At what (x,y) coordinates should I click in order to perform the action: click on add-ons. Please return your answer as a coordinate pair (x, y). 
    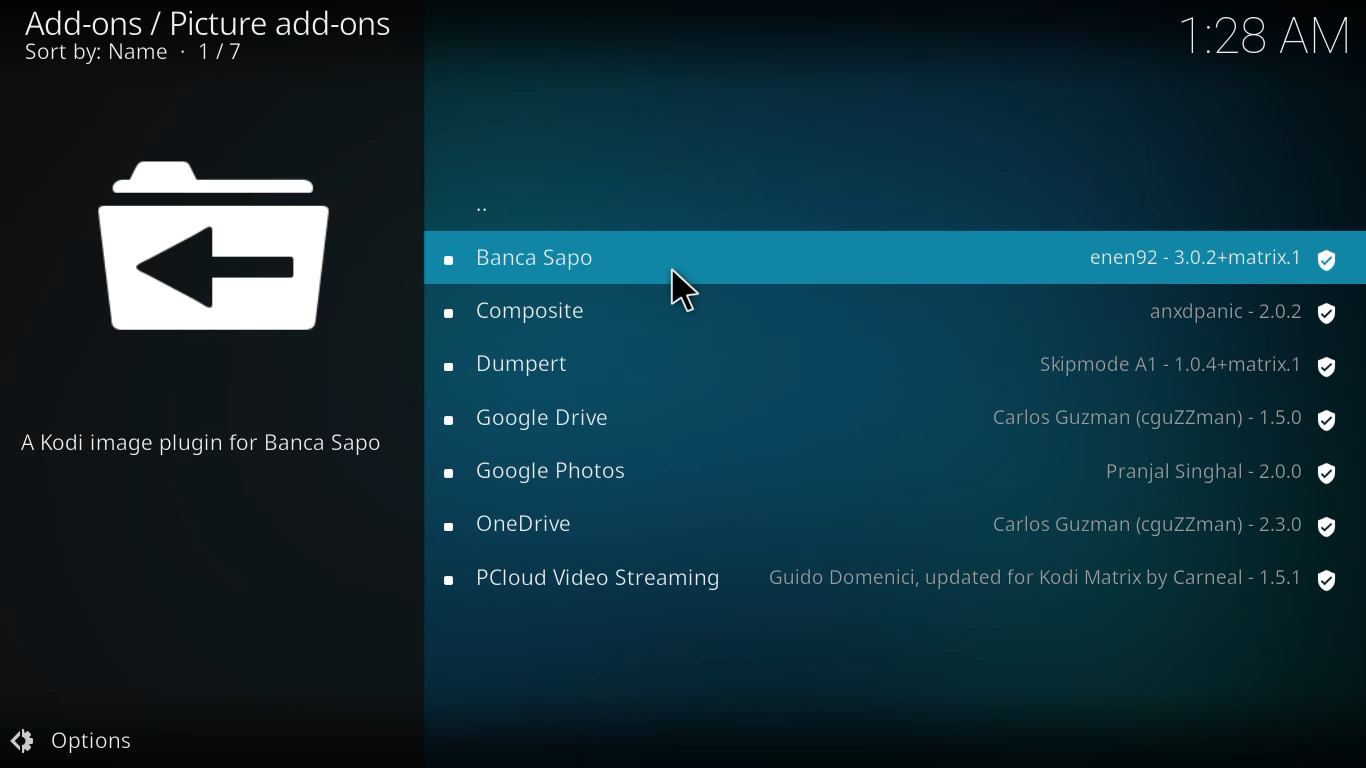
    Looking at the image, I should click on (250, 20).